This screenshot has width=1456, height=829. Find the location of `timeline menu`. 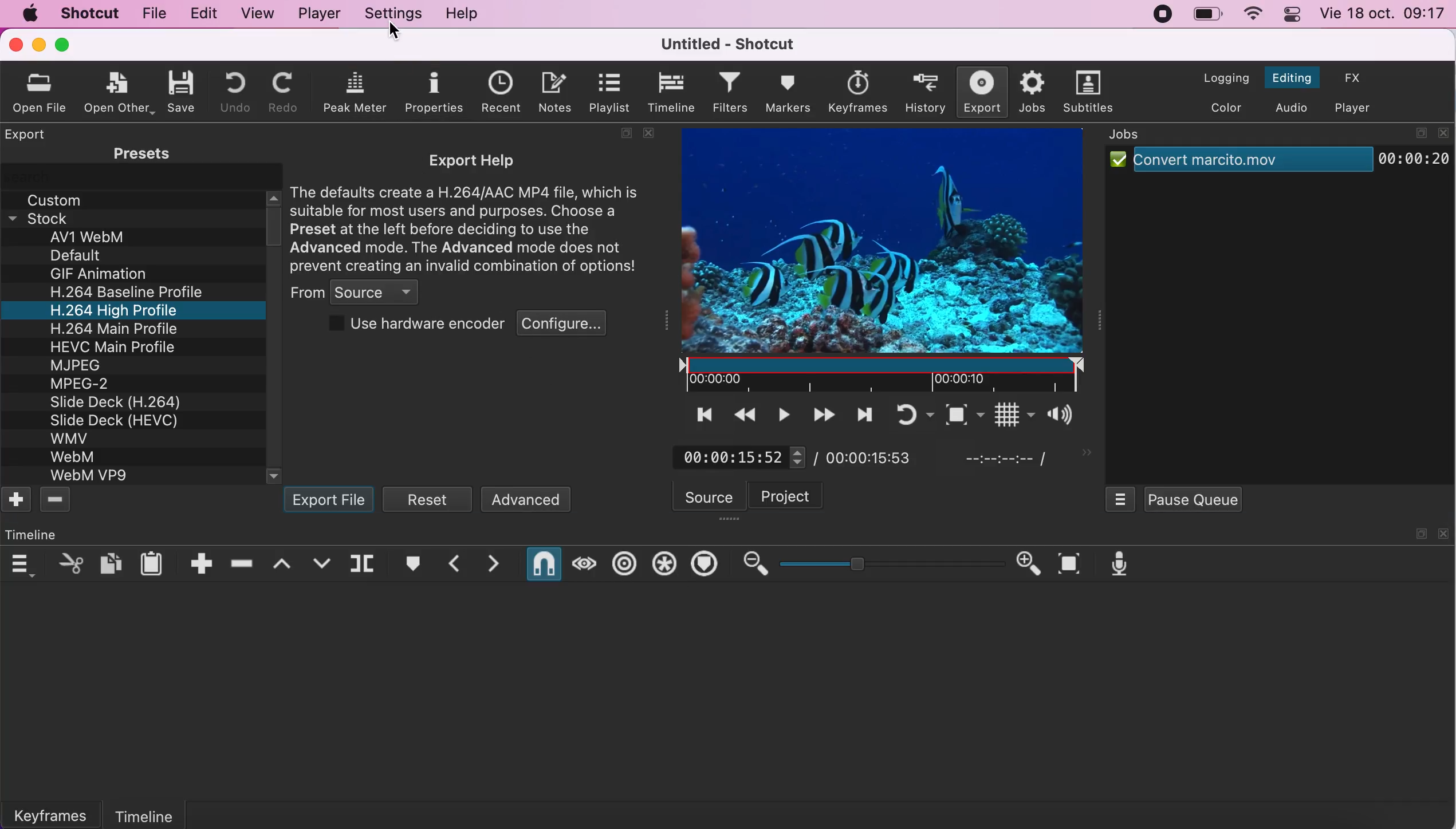

timeline menu is located at coordinates (20, 564).